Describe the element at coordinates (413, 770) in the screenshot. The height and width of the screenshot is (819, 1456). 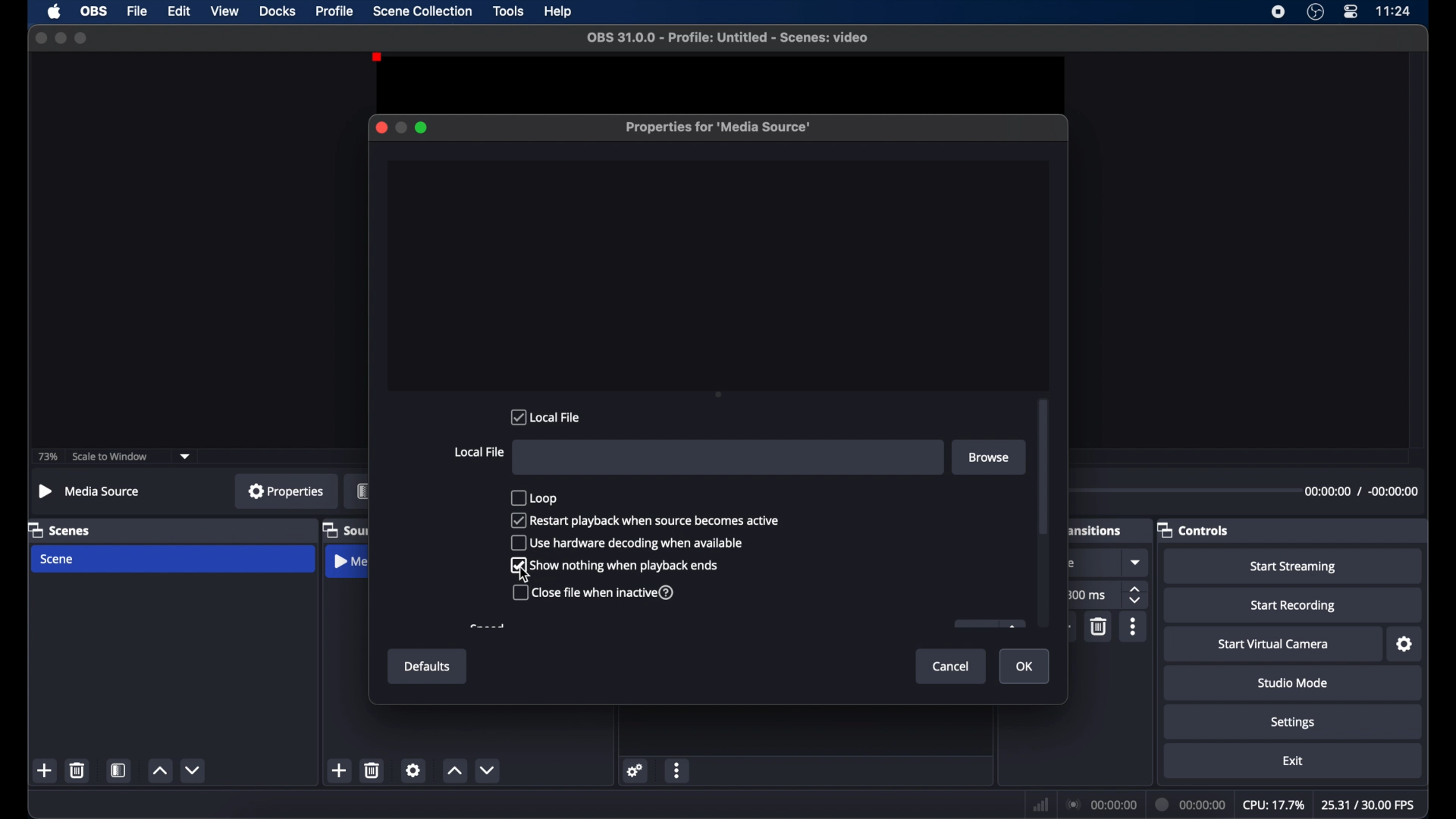
I see `settings` at that location.